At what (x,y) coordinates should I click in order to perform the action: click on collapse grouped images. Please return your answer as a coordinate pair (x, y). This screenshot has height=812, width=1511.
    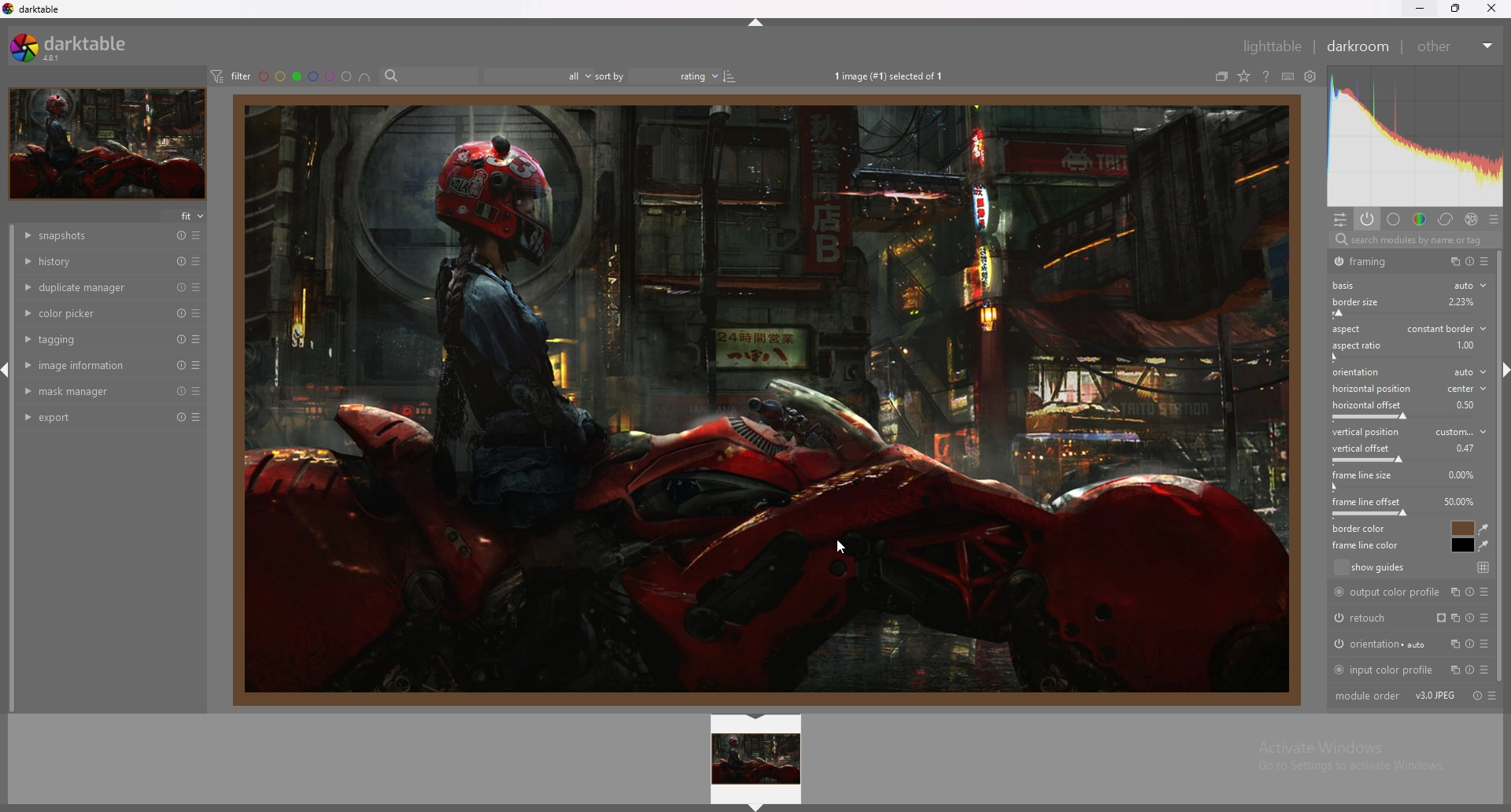
    Looking at the image, I should click on (1221, 77).